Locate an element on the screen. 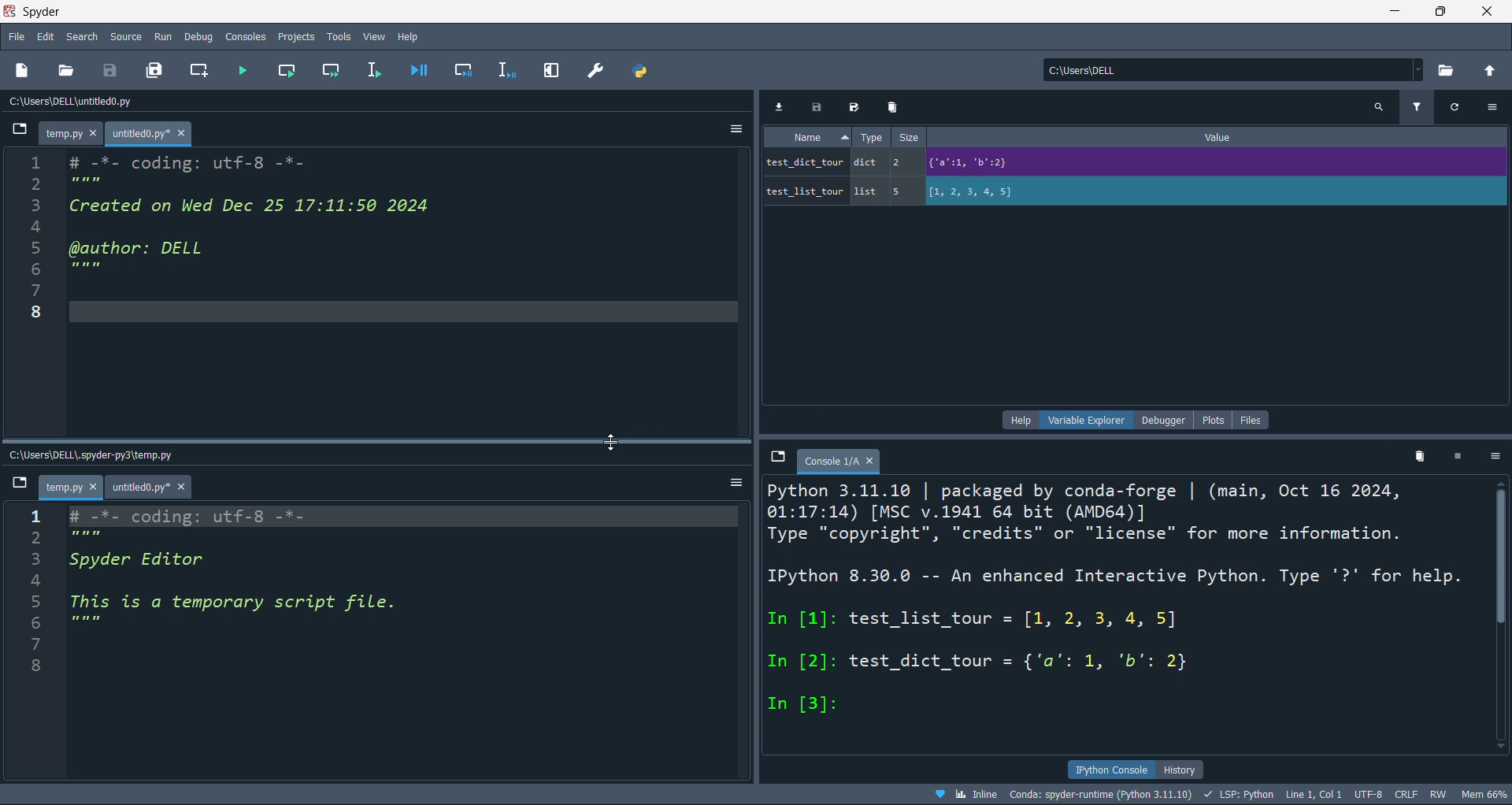 This screenshot has width=1512, height=805. run file is located at coordinates (244, 71).